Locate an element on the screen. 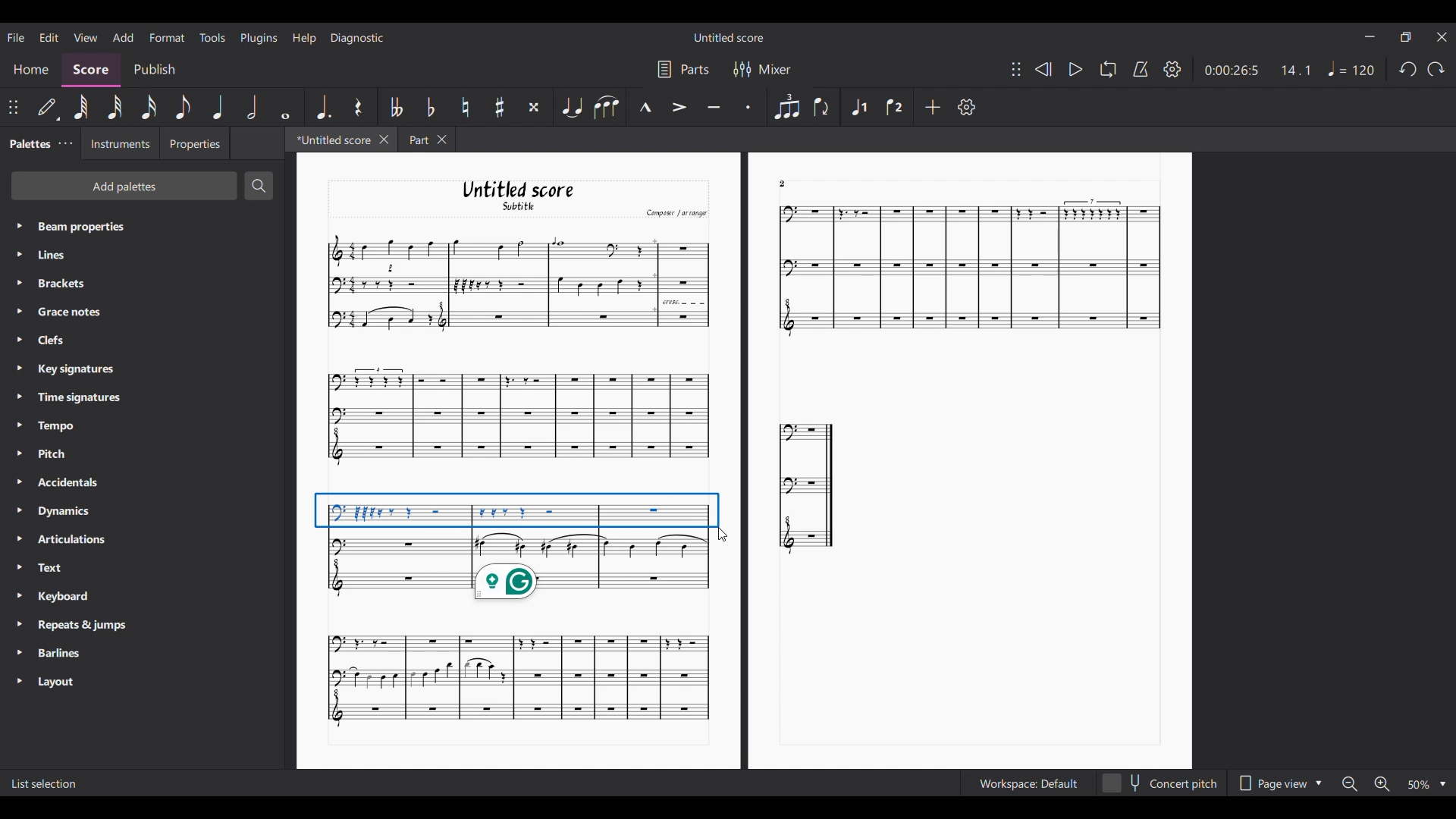  Tab settings is located at coordinates (65, 143).